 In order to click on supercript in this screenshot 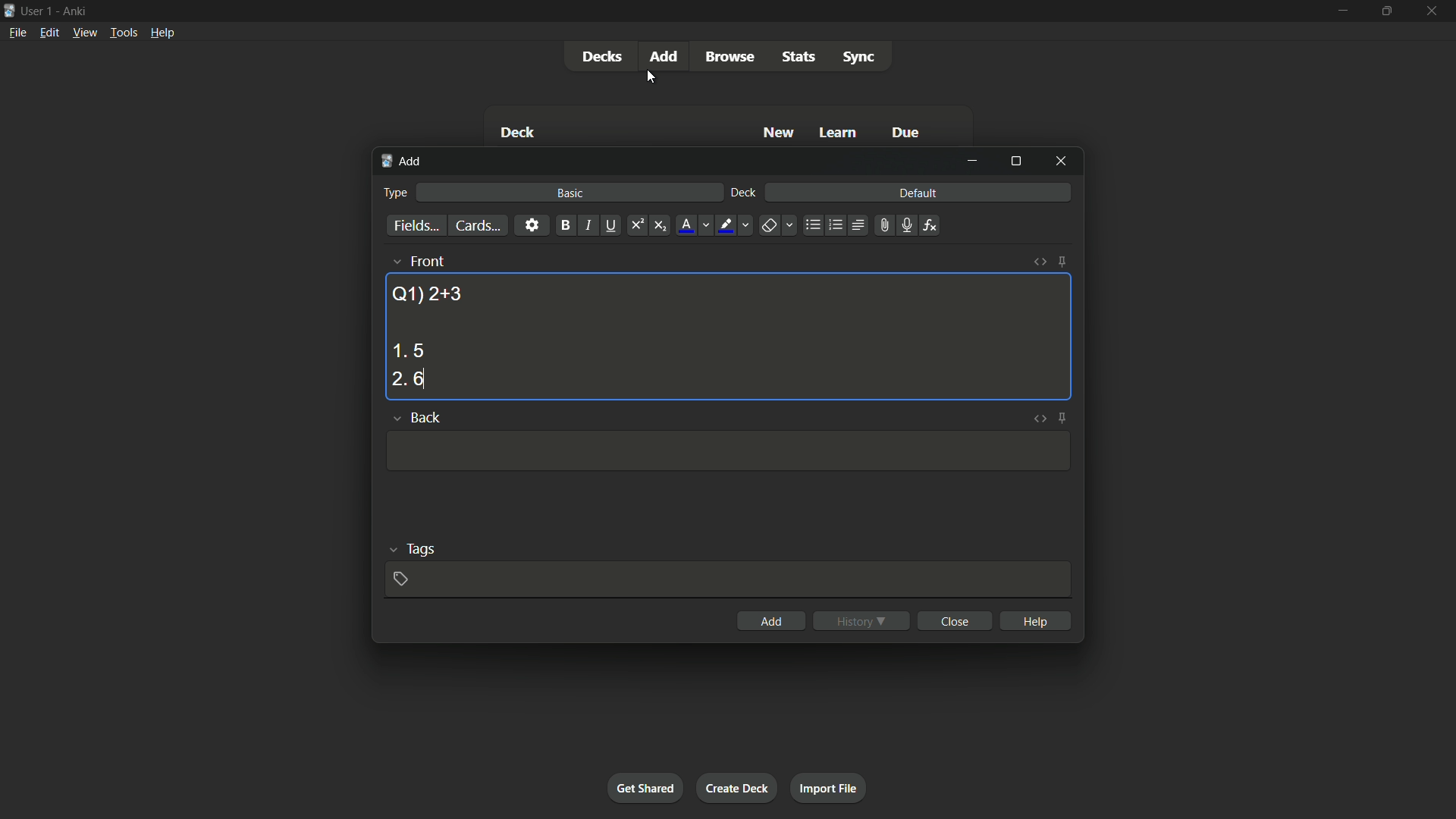, I will do `click(635, 226)`.